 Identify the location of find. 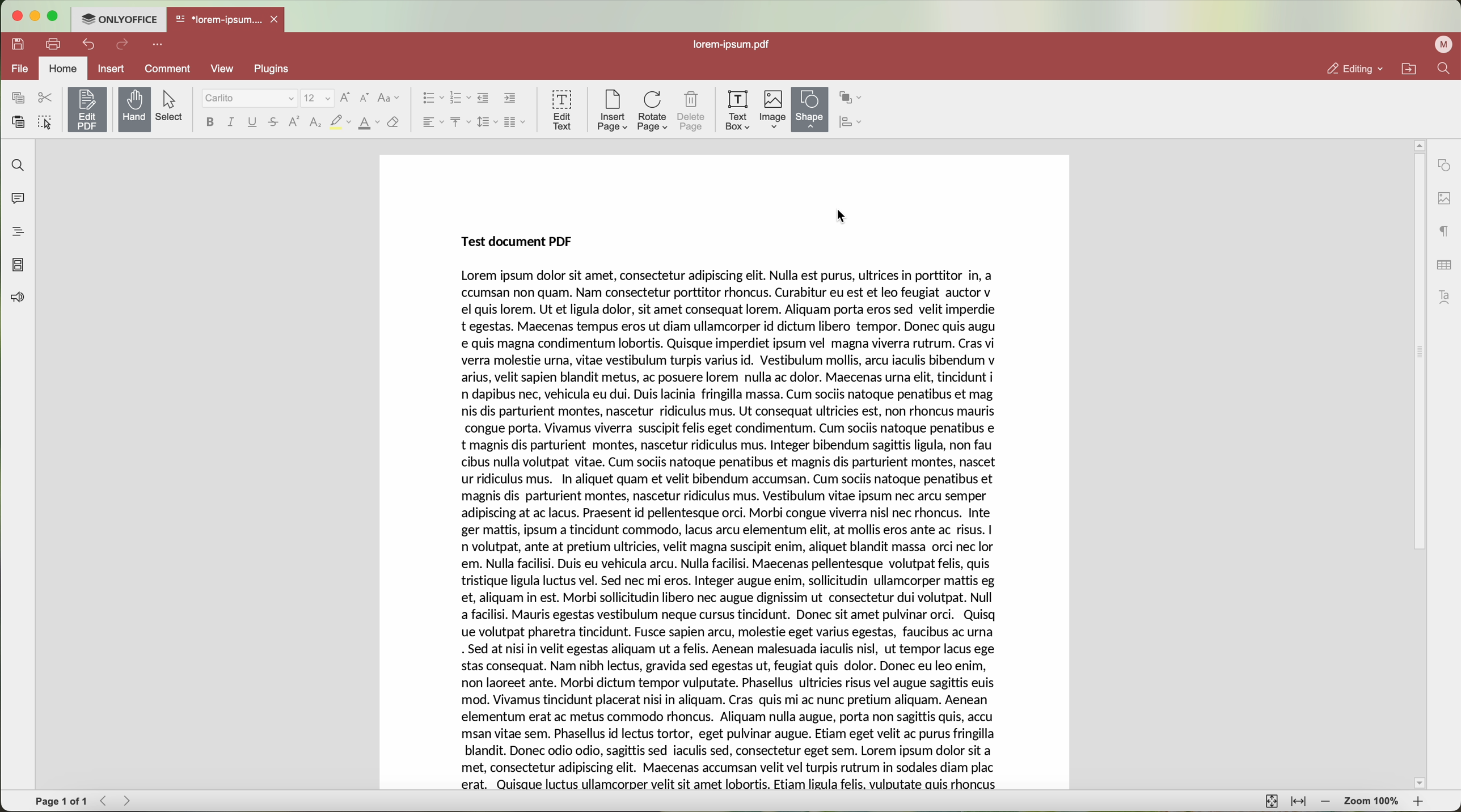
(1443, 70).